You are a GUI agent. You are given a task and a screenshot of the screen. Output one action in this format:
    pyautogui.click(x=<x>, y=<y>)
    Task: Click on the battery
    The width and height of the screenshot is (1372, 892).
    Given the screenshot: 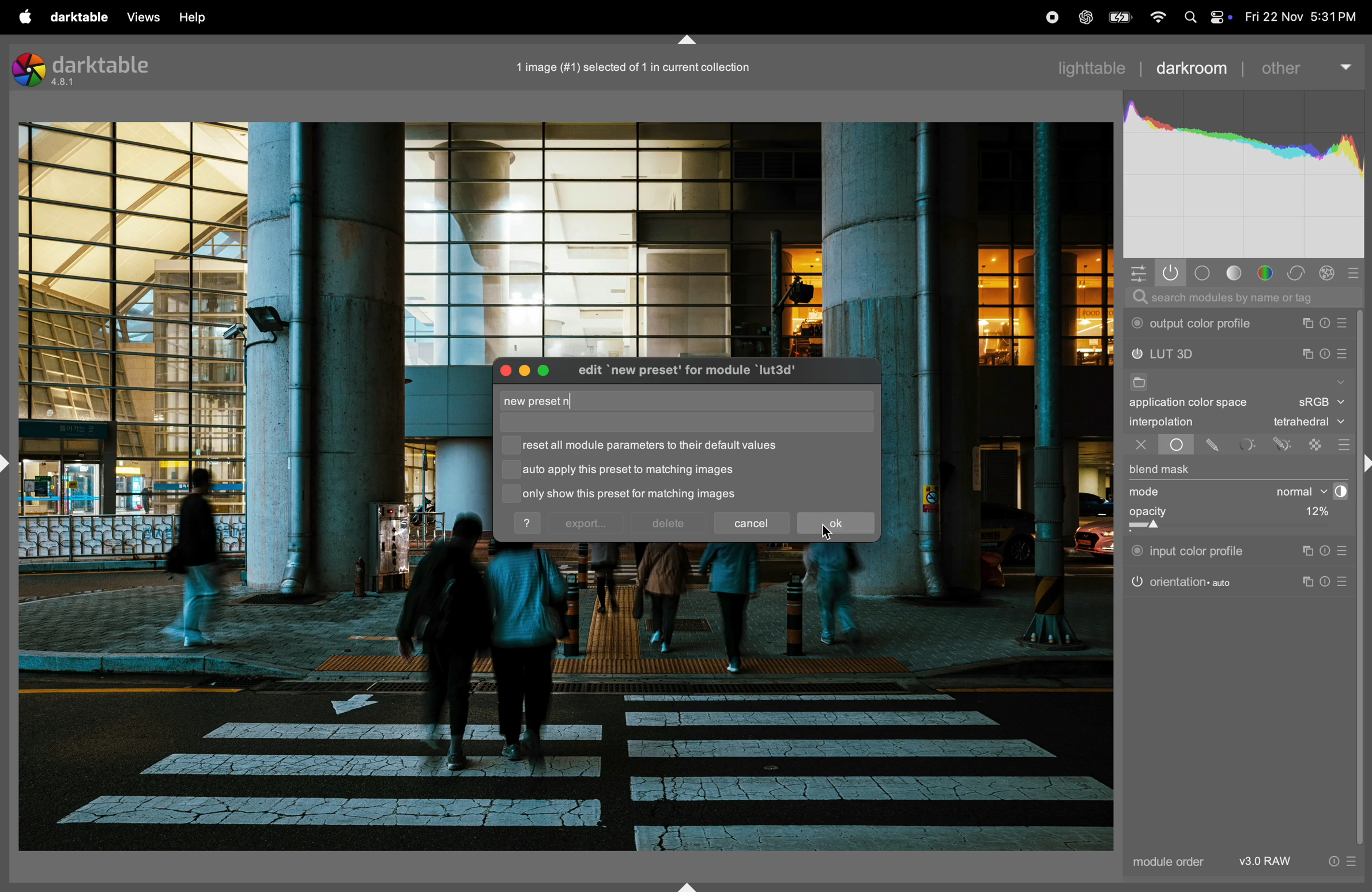 What is the action you would take?
    pyautogui.click(x=1118, y=17)
    